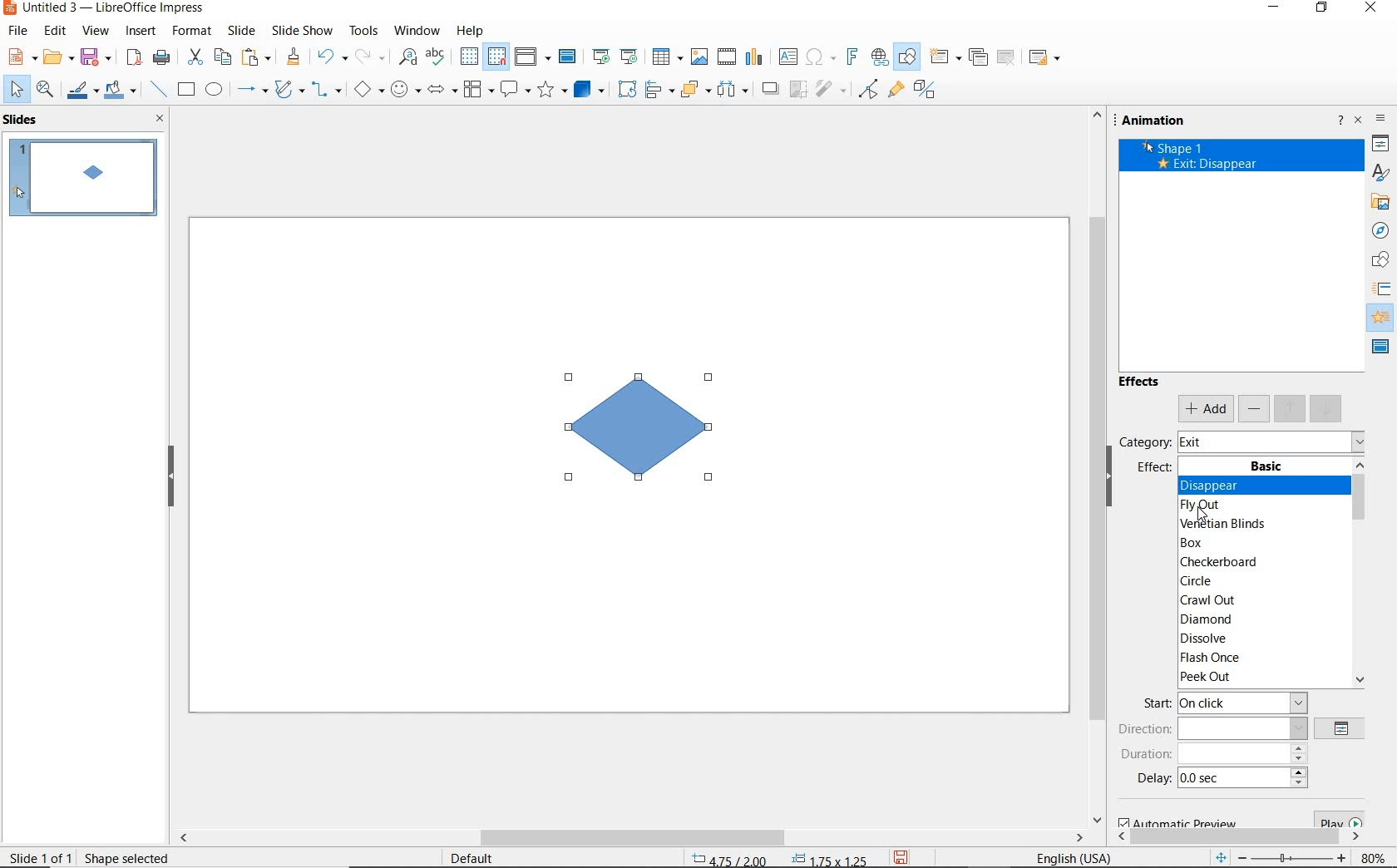 The image size is (1397, 868). What do you see at coordinates (927, 91) in the screenshot?
I see `toggle extrusion` at bounding box center [927, 91].